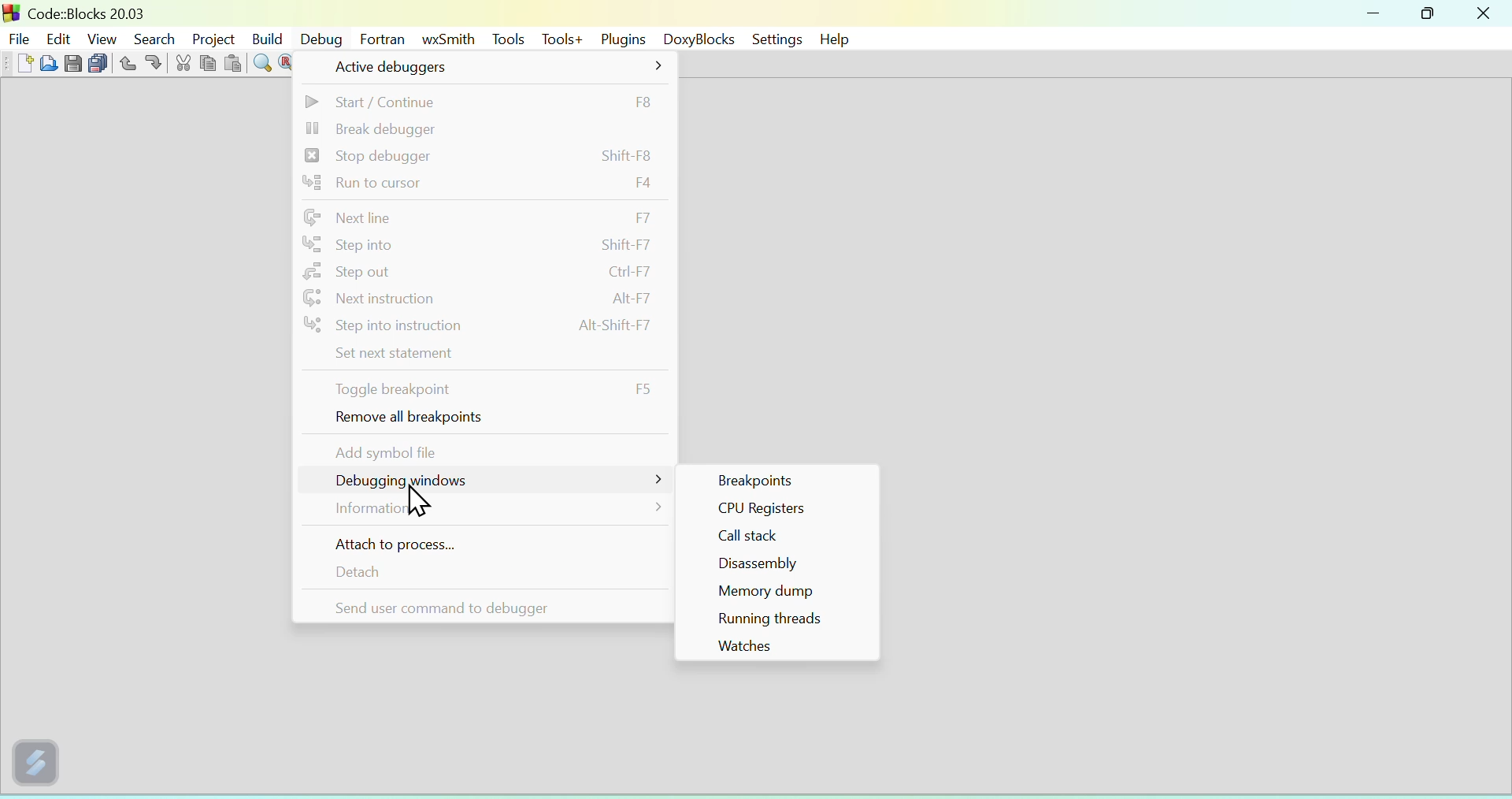 Image resolution: width=1512 pixels, height=799 pixels. What do you see at coordinates (124, 63) in the screenshot?
I see `undo` at bounding box center [124, 63].